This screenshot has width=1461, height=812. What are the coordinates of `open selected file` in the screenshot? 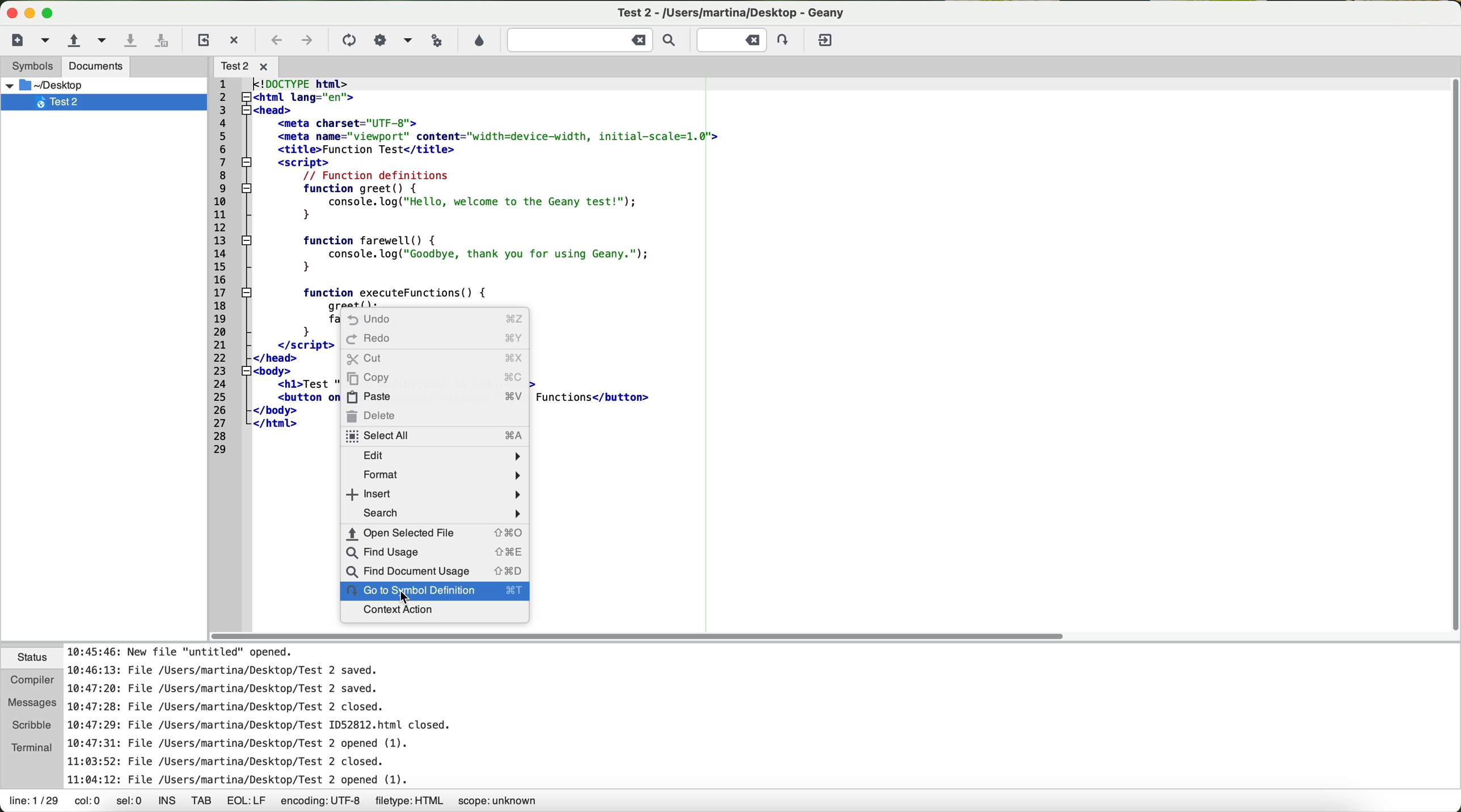 It's located at (434, 532).